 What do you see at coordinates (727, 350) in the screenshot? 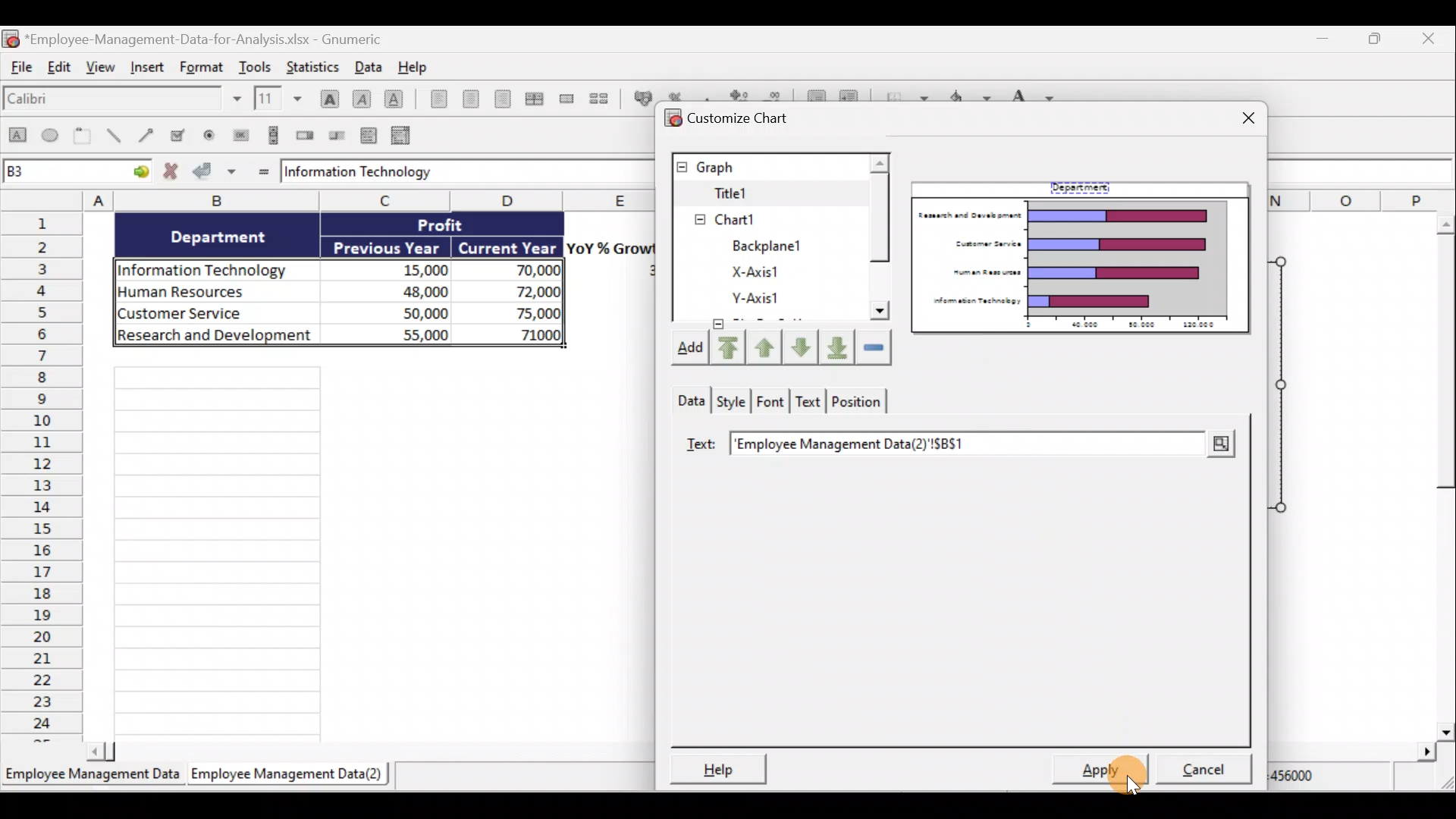
I see `Move upward` at bounding box center [727, 350].